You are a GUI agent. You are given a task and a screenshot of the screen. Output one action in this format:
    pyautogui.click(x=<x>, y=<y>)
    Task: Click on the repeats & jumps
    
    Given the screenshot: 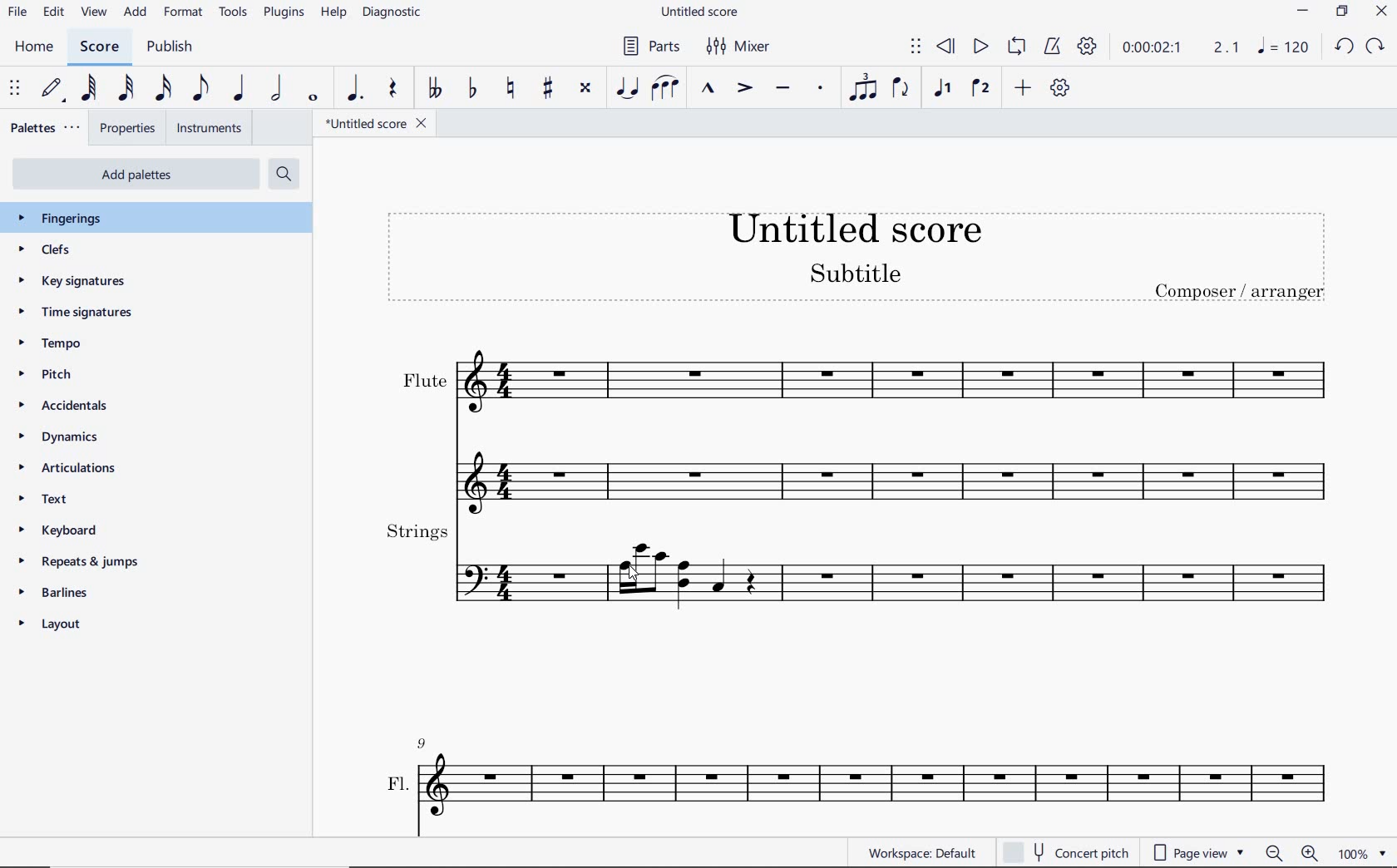 What is the action you would take?
    pyautogui.click(x=91, y=564)
    